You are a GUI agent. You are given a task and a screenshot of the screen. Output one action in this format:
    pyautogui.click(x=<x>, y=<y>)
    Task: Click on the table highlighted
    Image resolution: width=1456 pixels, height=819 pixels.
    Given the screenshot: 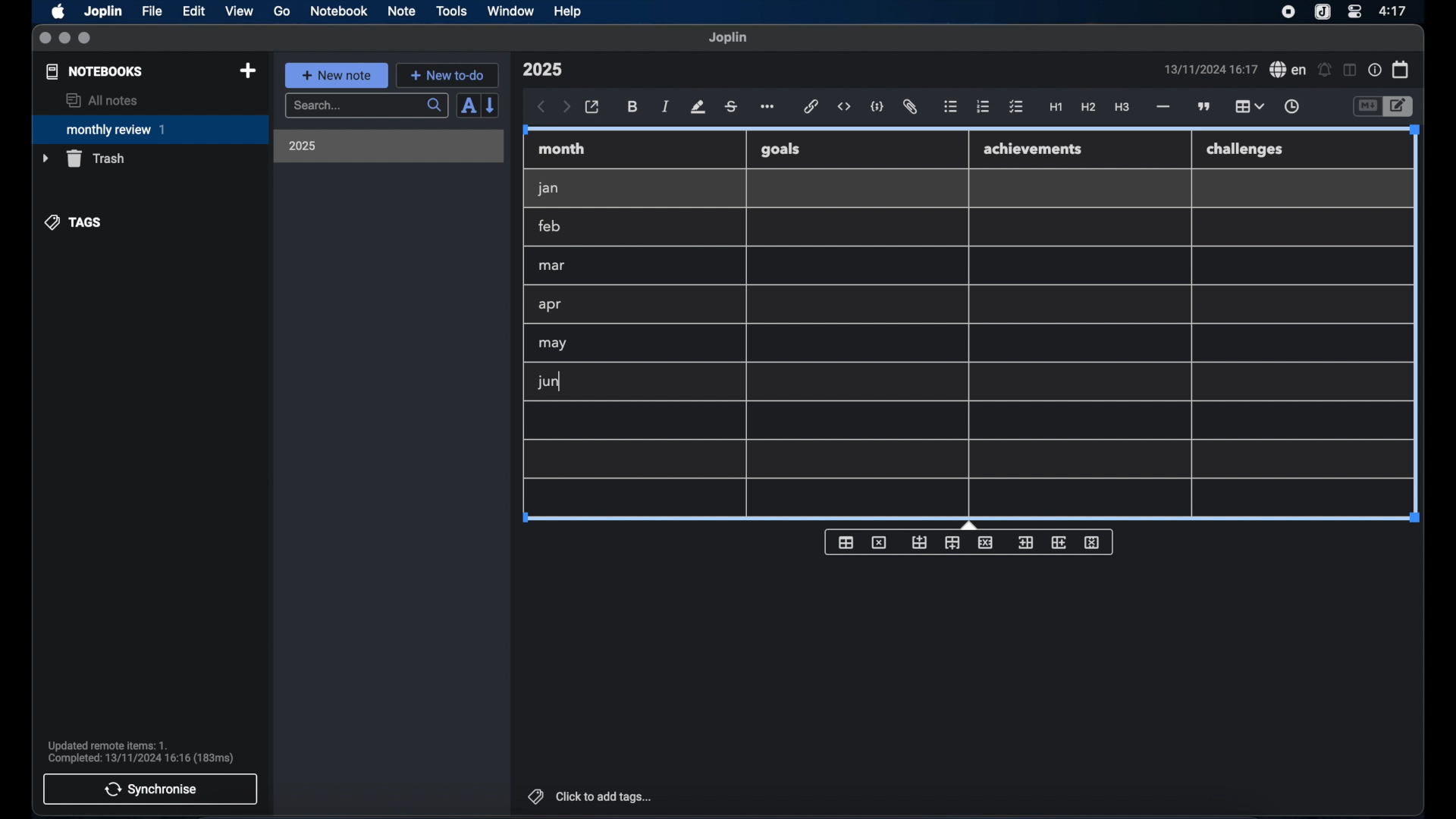 What is the action you would take?
    pyautogui.click(x=1247, y=106)
    